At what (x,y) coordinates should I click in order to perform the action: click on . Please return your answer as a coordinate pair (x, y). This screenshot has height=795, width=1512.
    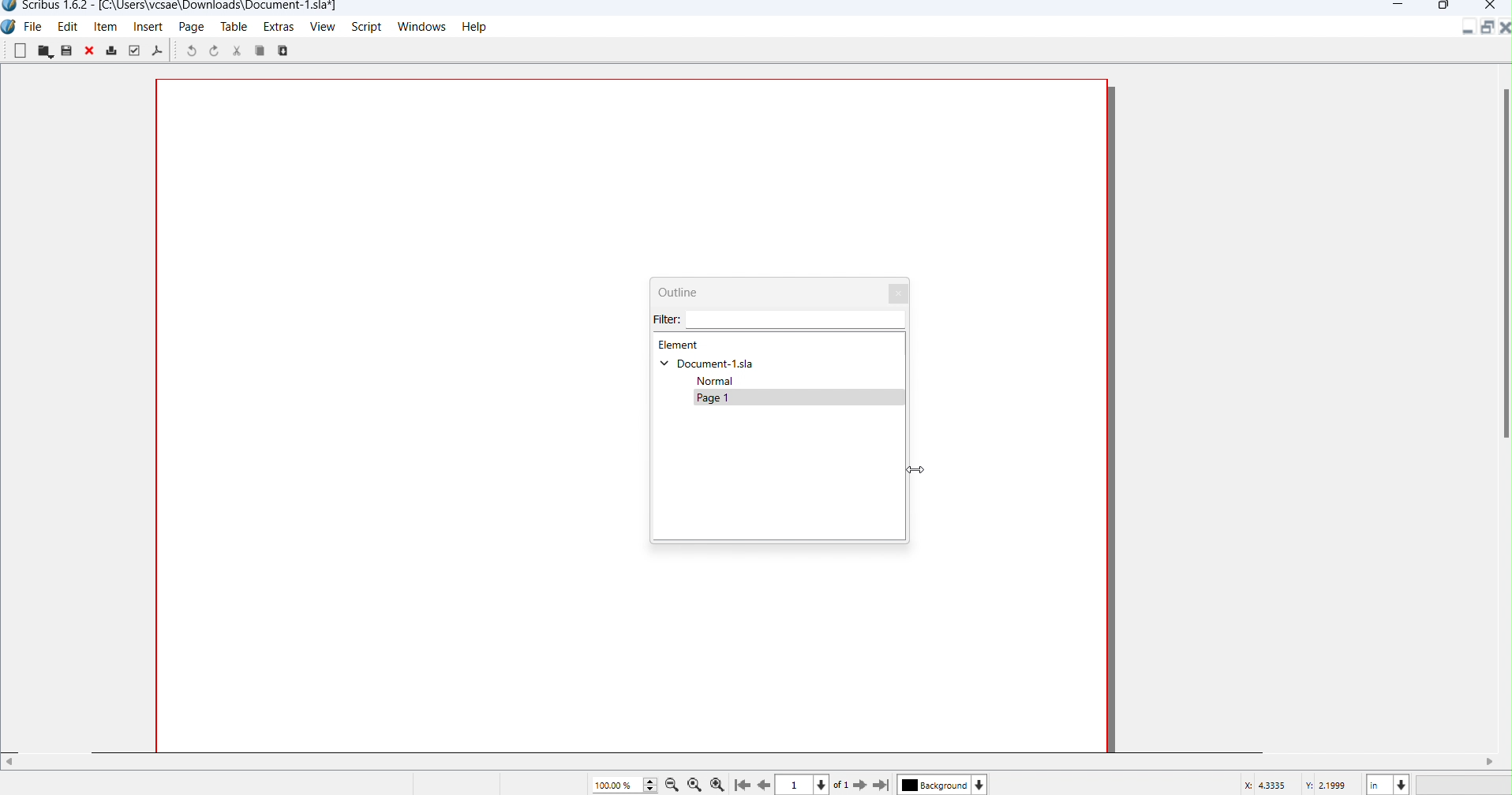
    Looking at the image, I should click on (152, 28).